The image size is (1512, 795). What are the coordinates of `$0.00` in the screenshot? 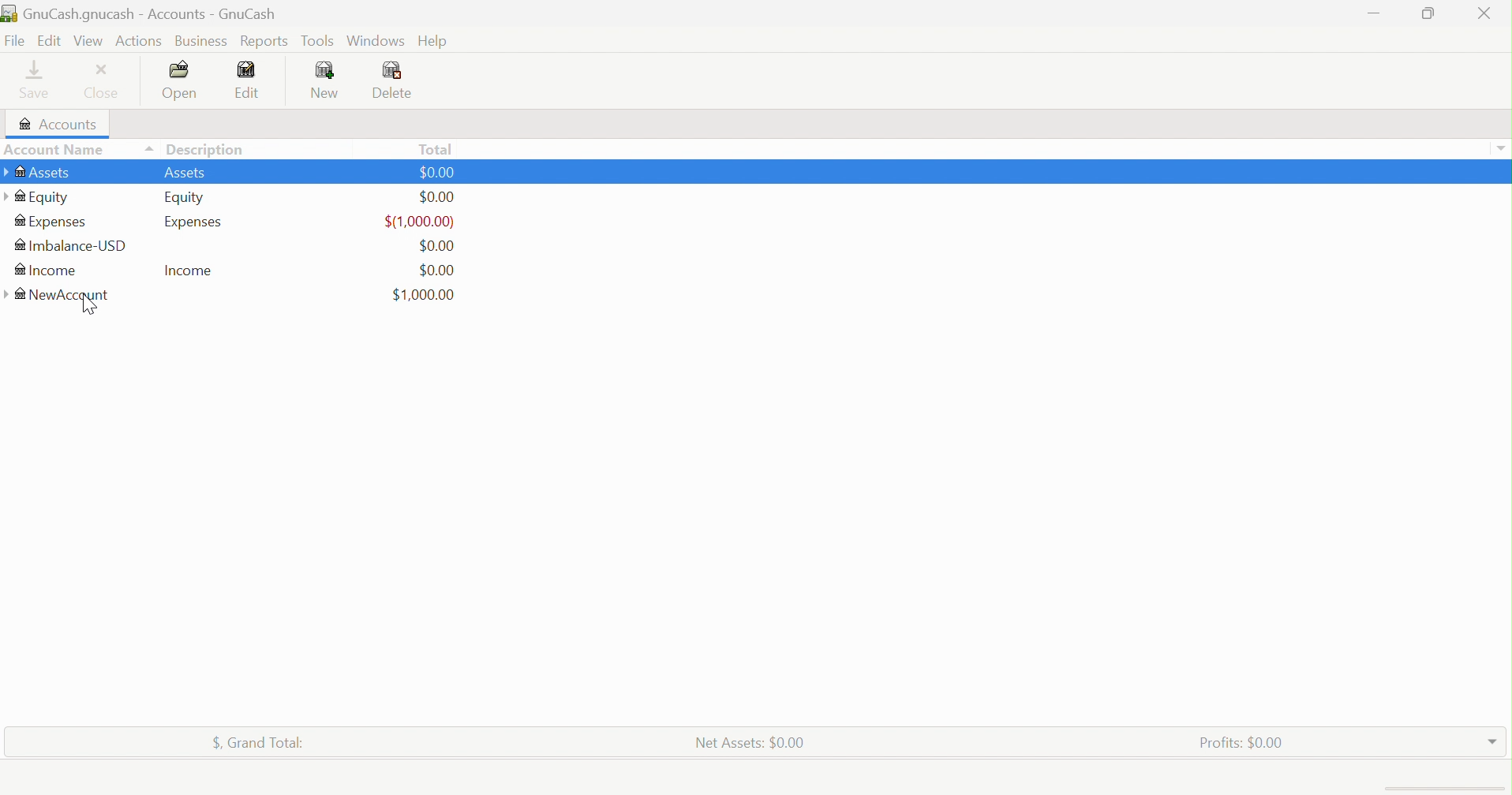 It's located at (436, 171).